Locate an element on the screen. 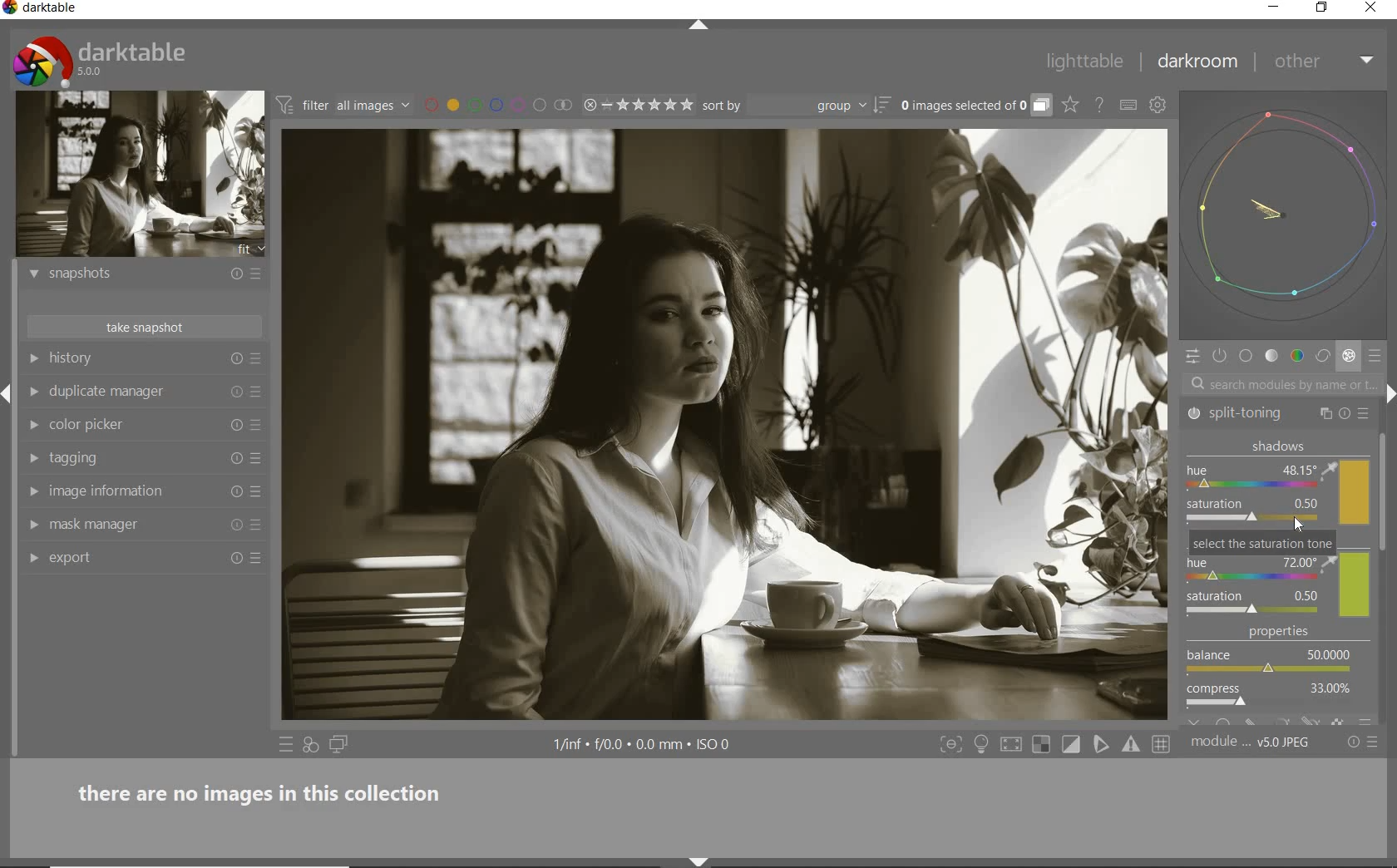 Image resolution: width=1397 pixels, height=868 pixels. sort is located at coordinates (795, 106).